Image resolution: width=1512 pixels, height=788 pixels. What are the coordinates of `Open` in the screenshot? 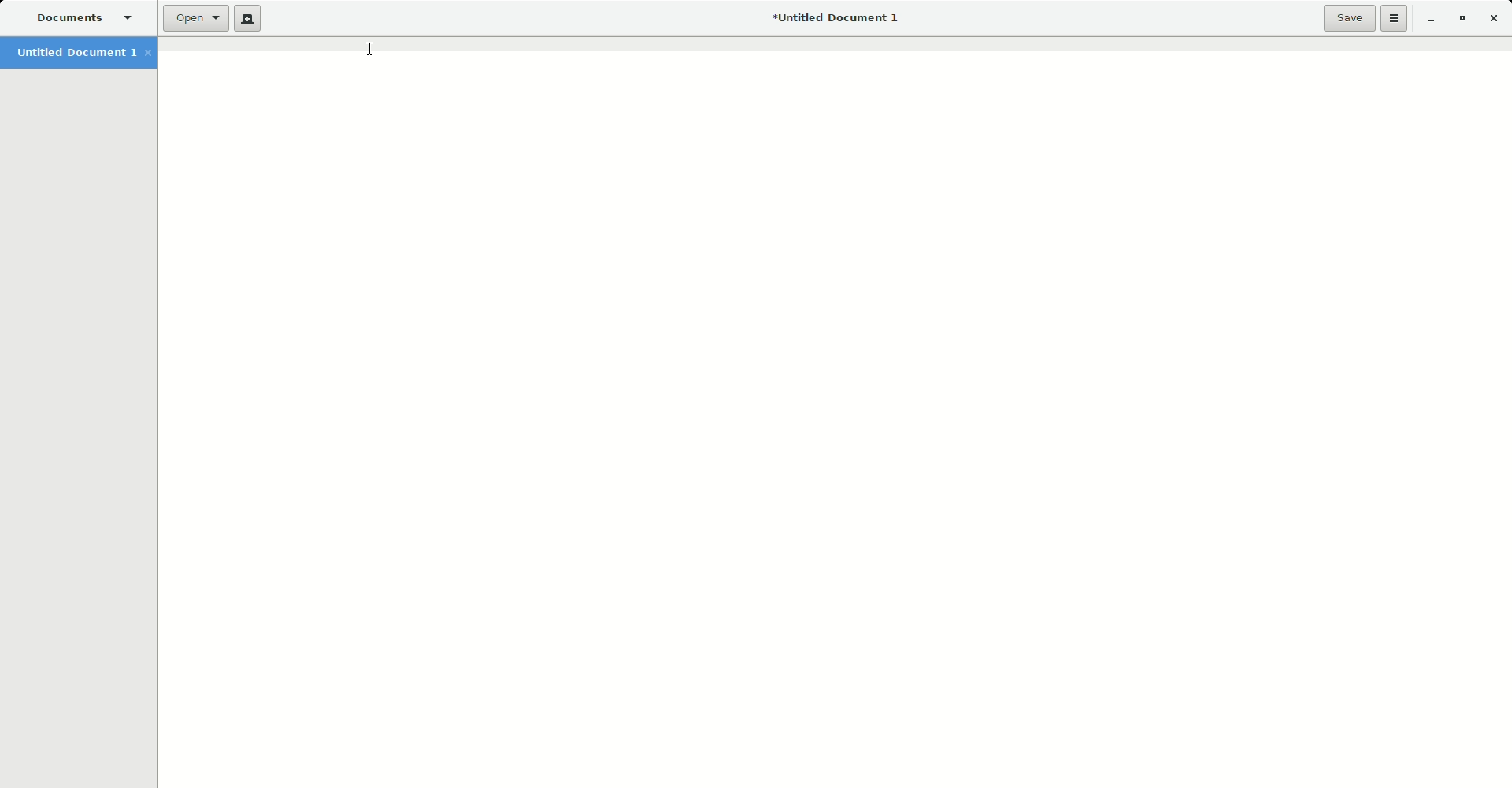 It's located at (194, 17).